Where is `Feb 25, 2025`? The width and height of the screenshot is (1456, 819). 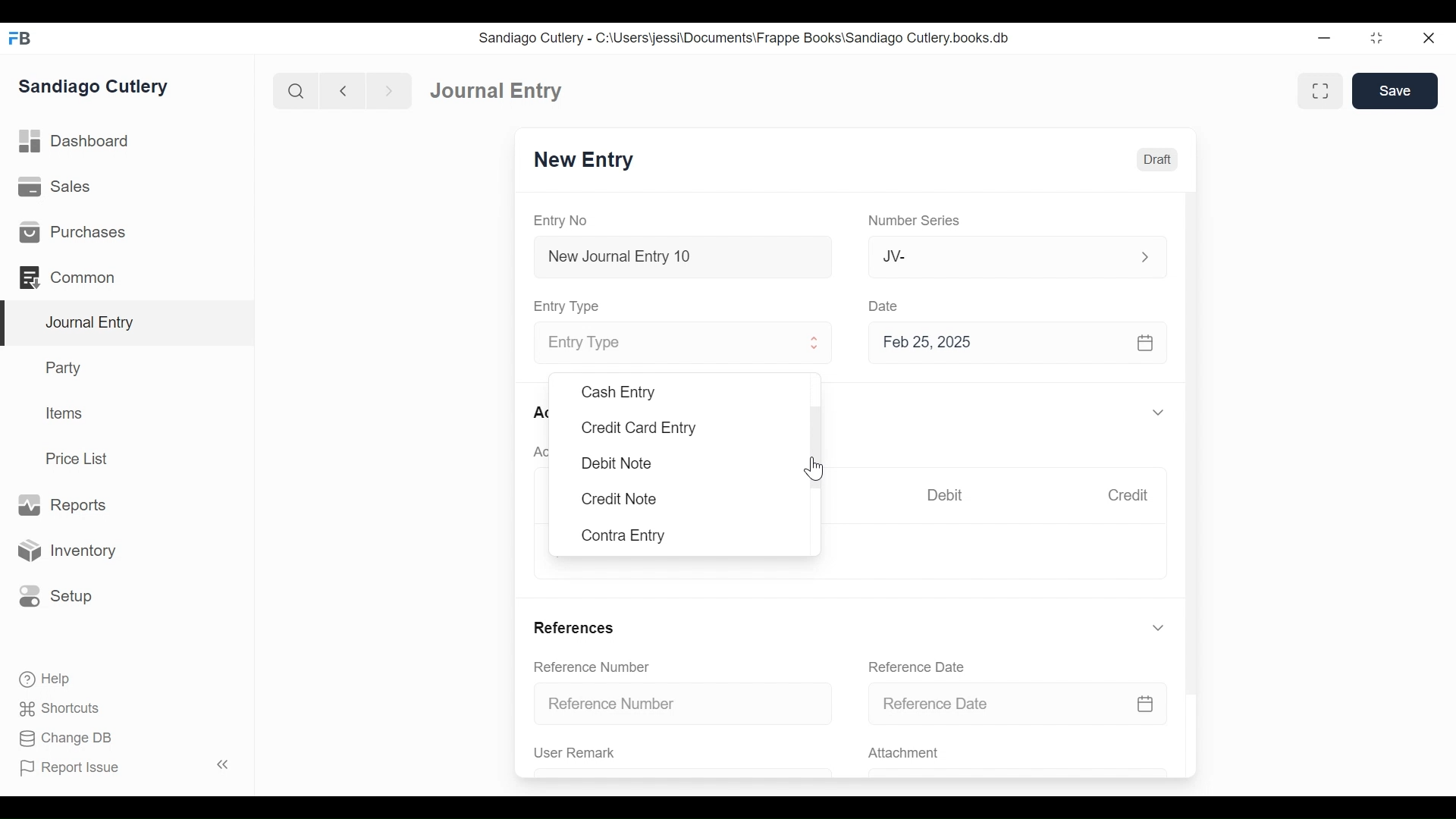 Feb 25, 2025 is located at coordinates (1019, 346).